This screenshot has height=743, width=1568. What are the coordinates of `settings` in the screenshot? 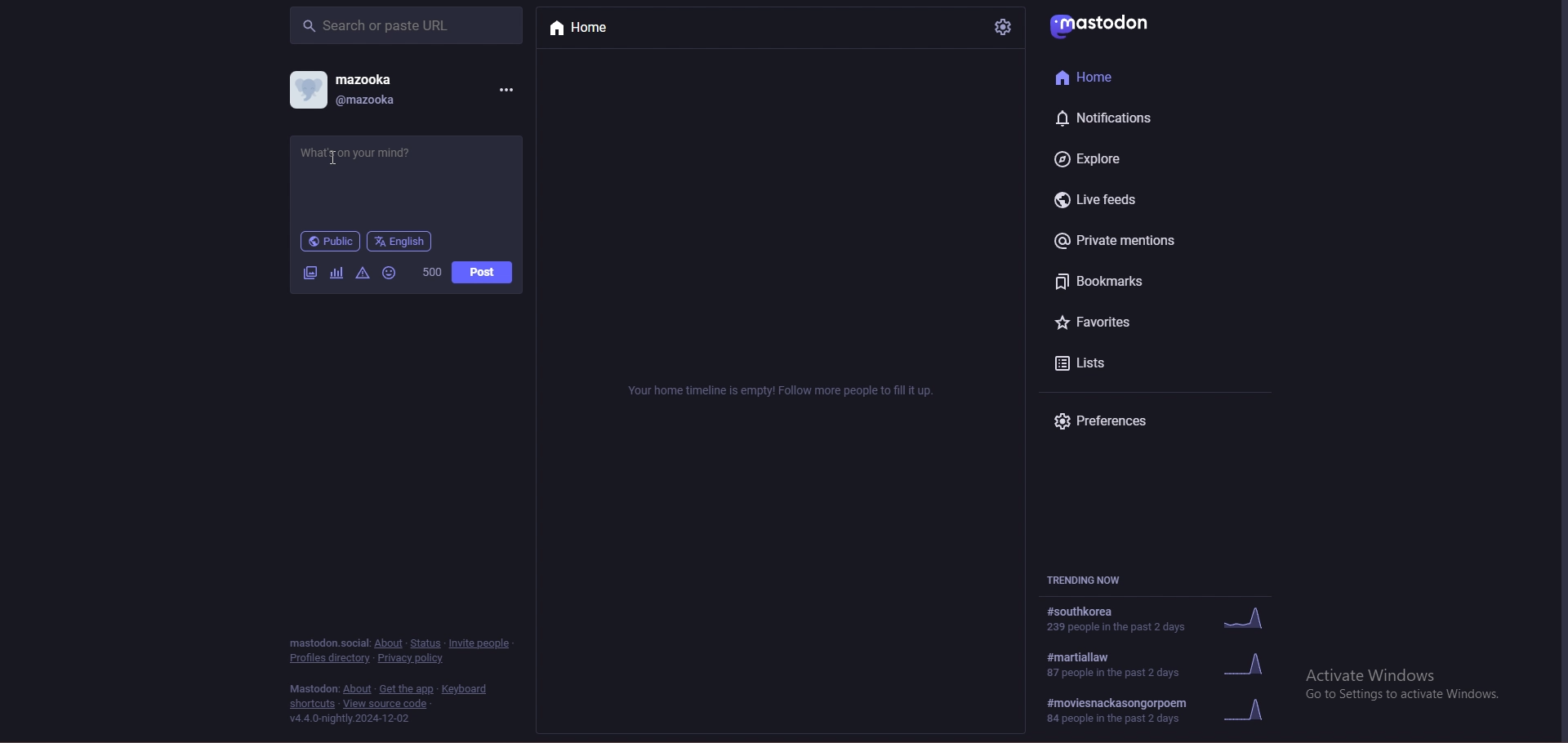 It's located at (1001, 27).